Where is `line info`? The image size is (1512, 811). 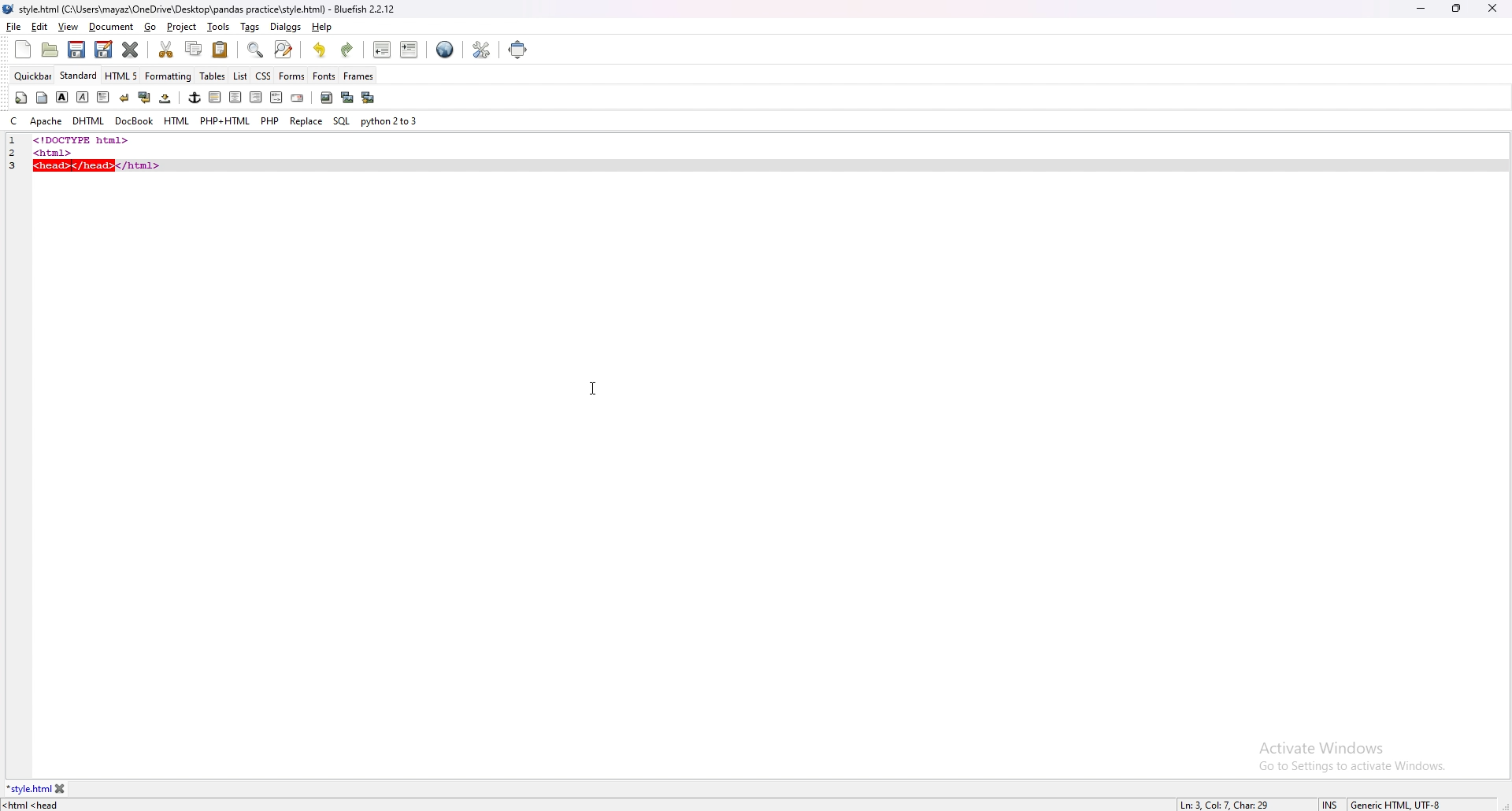
line info is located at coordinates (1226, 803).